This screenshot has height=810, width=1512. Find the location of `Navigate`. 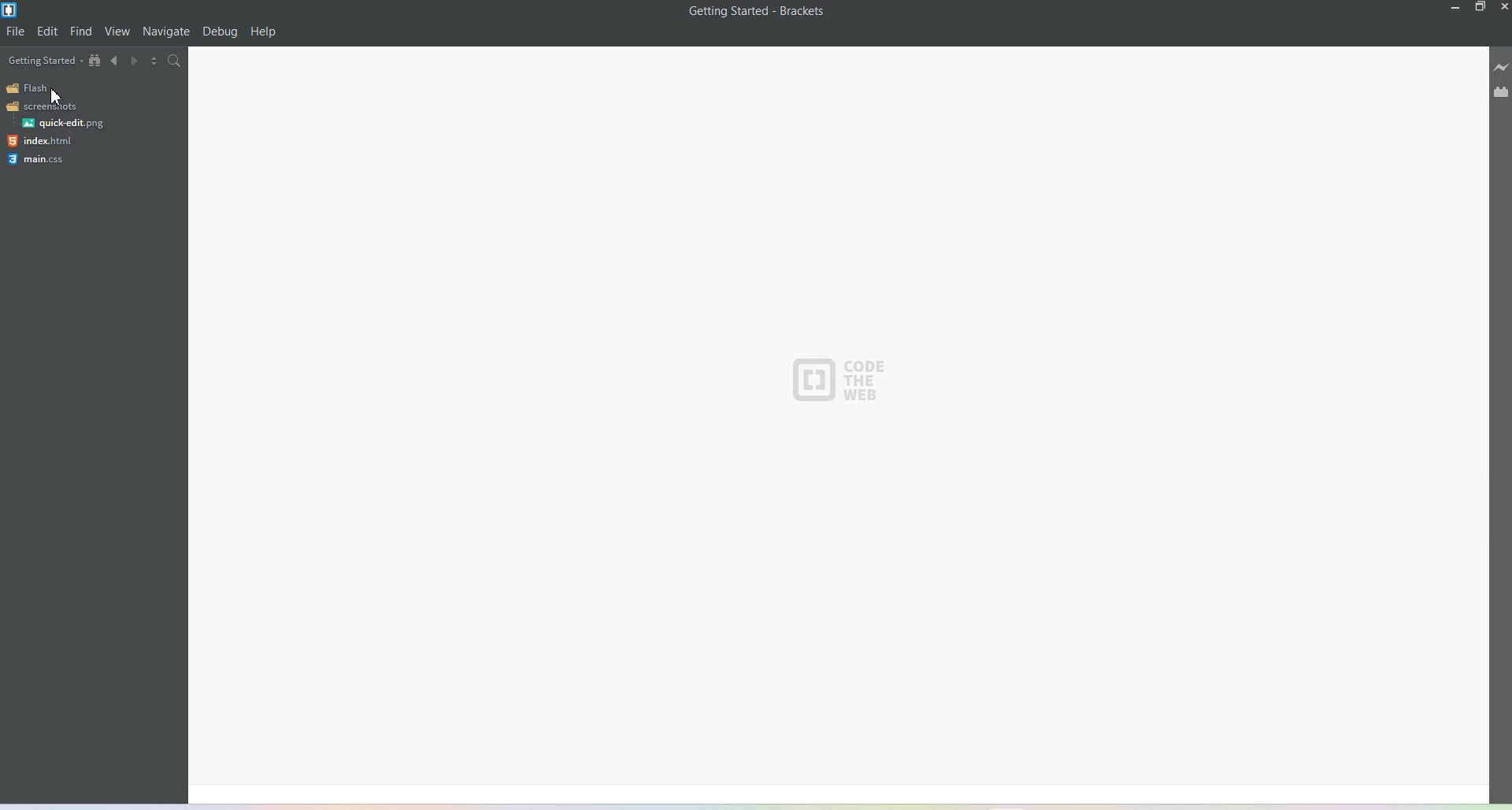

Navigate is located at coordinates (166, 32).